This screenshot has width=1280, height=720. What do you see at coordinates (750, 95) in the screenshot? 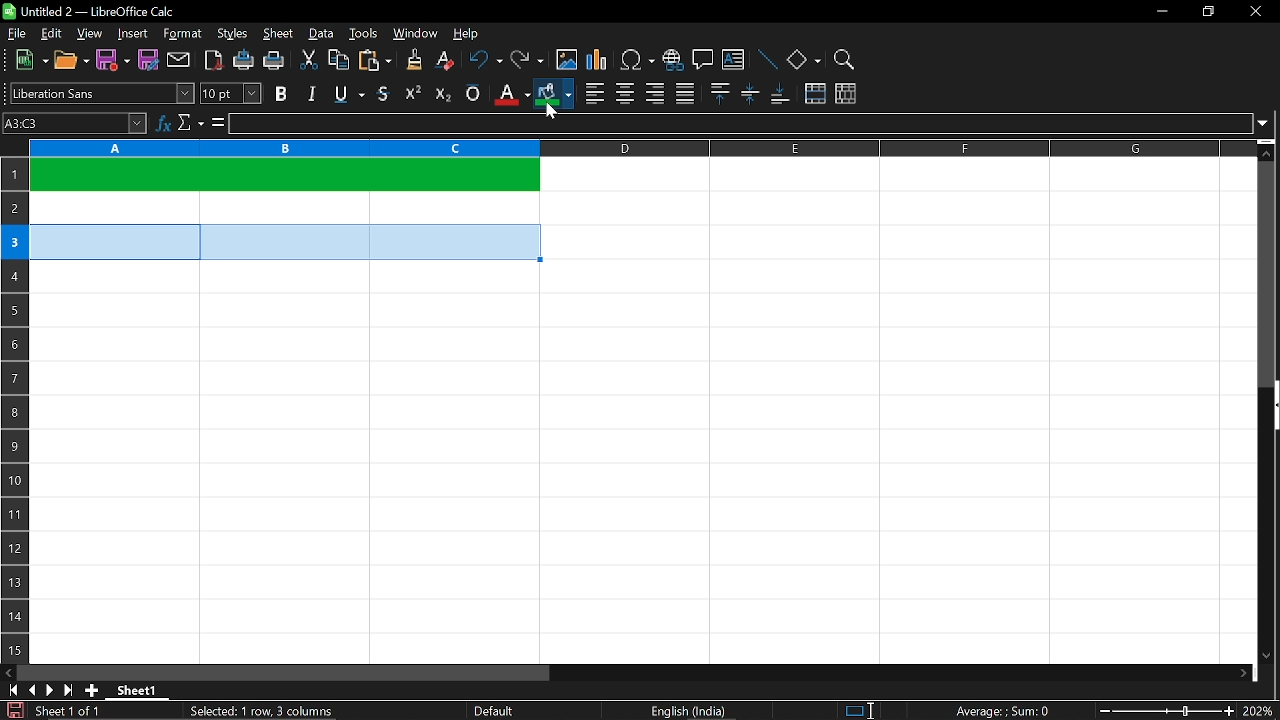
I see `center vertically` at bounding box center [750, 95].